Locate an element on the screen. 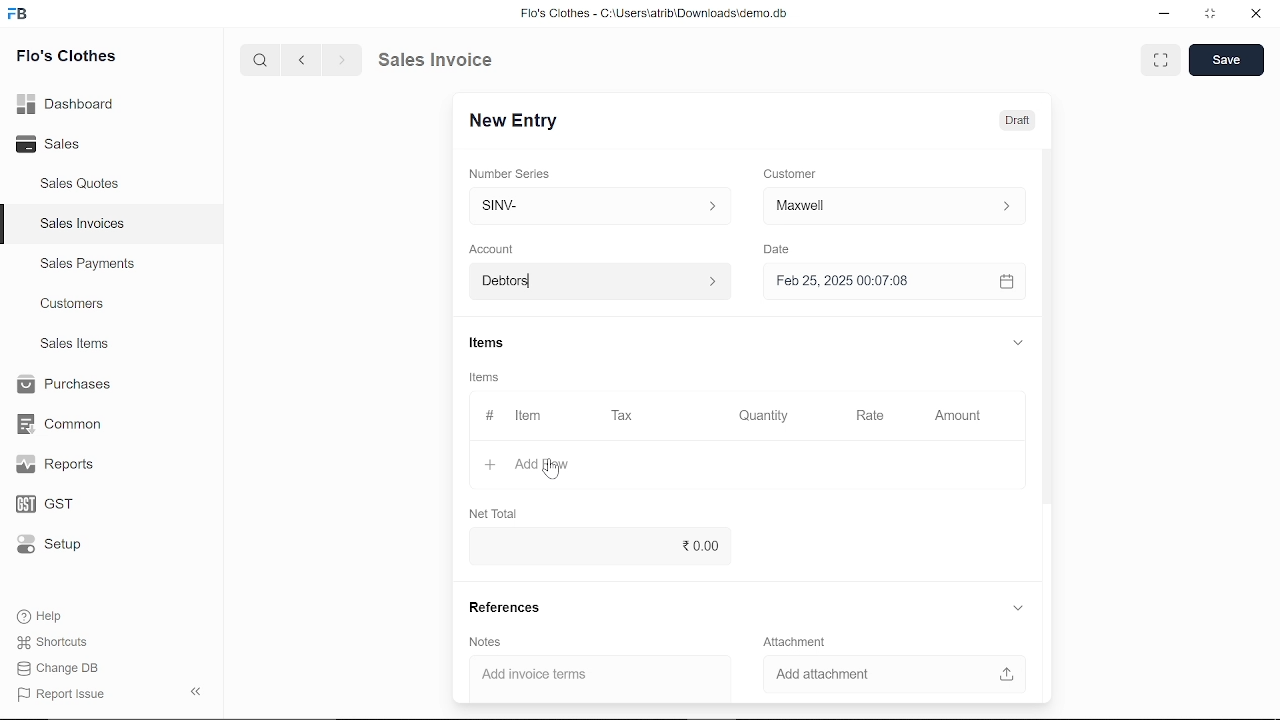 Image resolution: width=1280 pixels, height=720 pixels. H Feb 25, 2025 00:07:08  is located at coordinates (876, 282).